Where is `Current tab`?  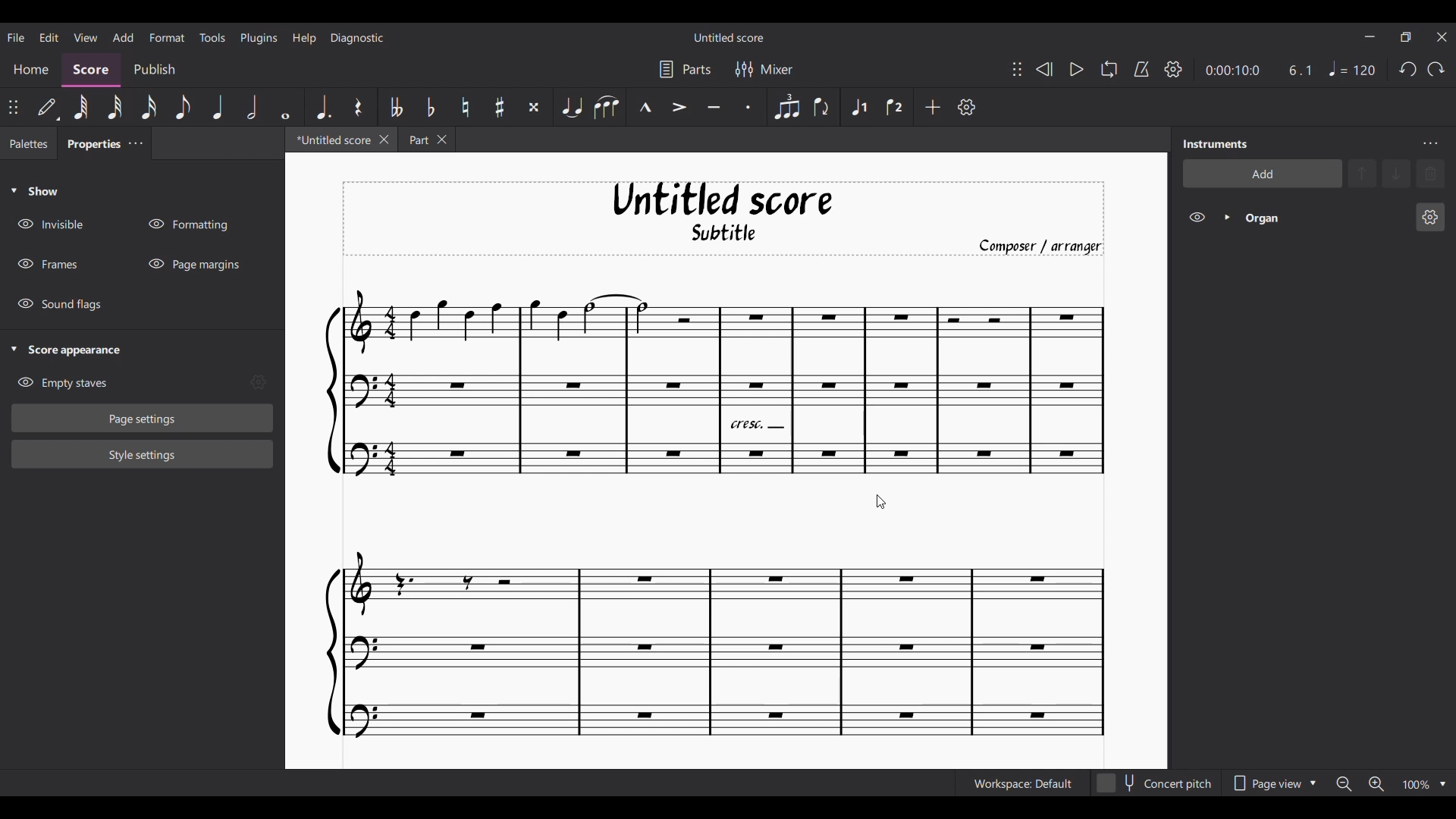
Current tab is located at coordinates (331, 140).